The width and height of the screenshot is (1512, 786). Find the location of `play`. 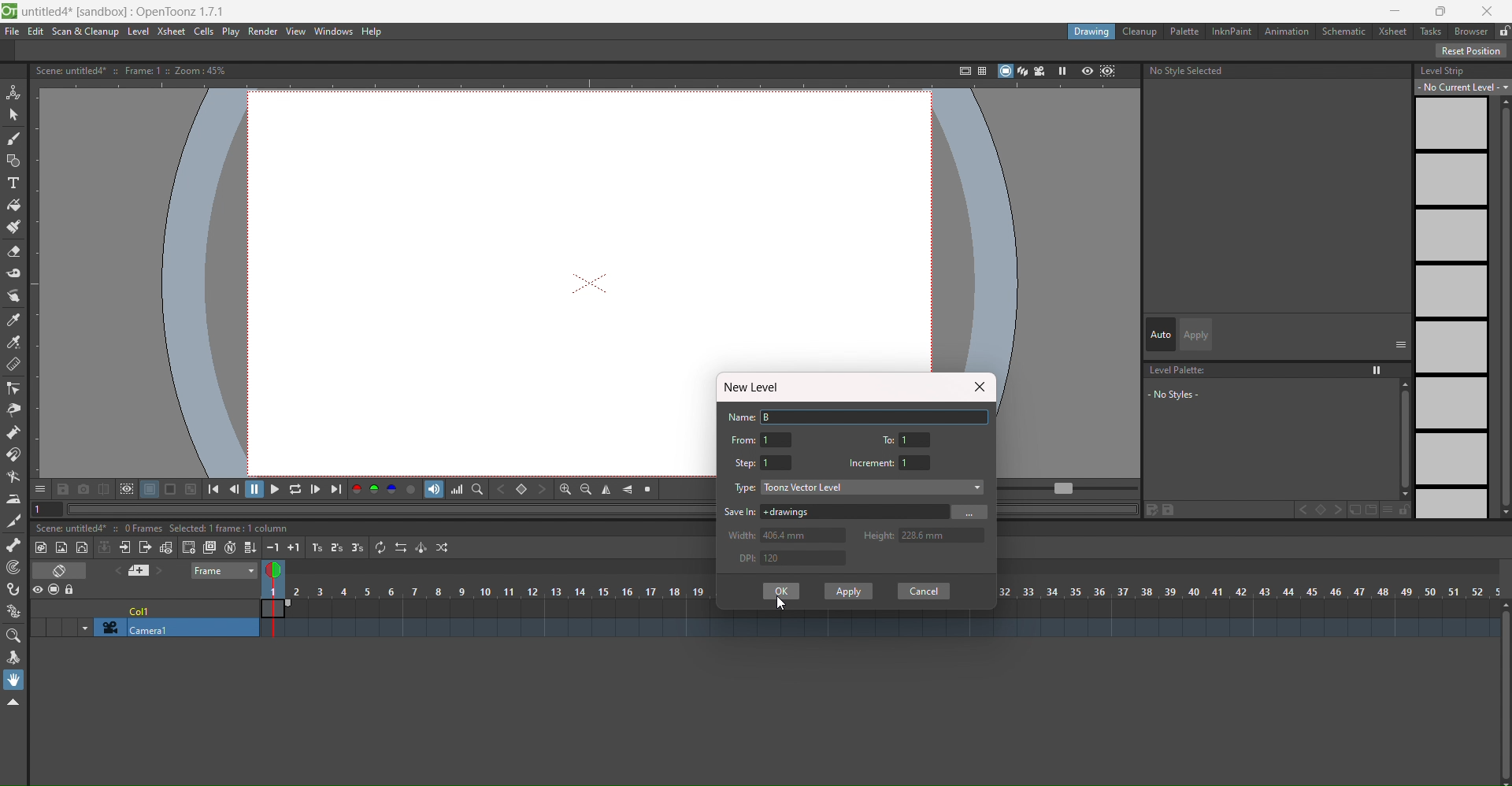

play is located at coordinates (232, 32).